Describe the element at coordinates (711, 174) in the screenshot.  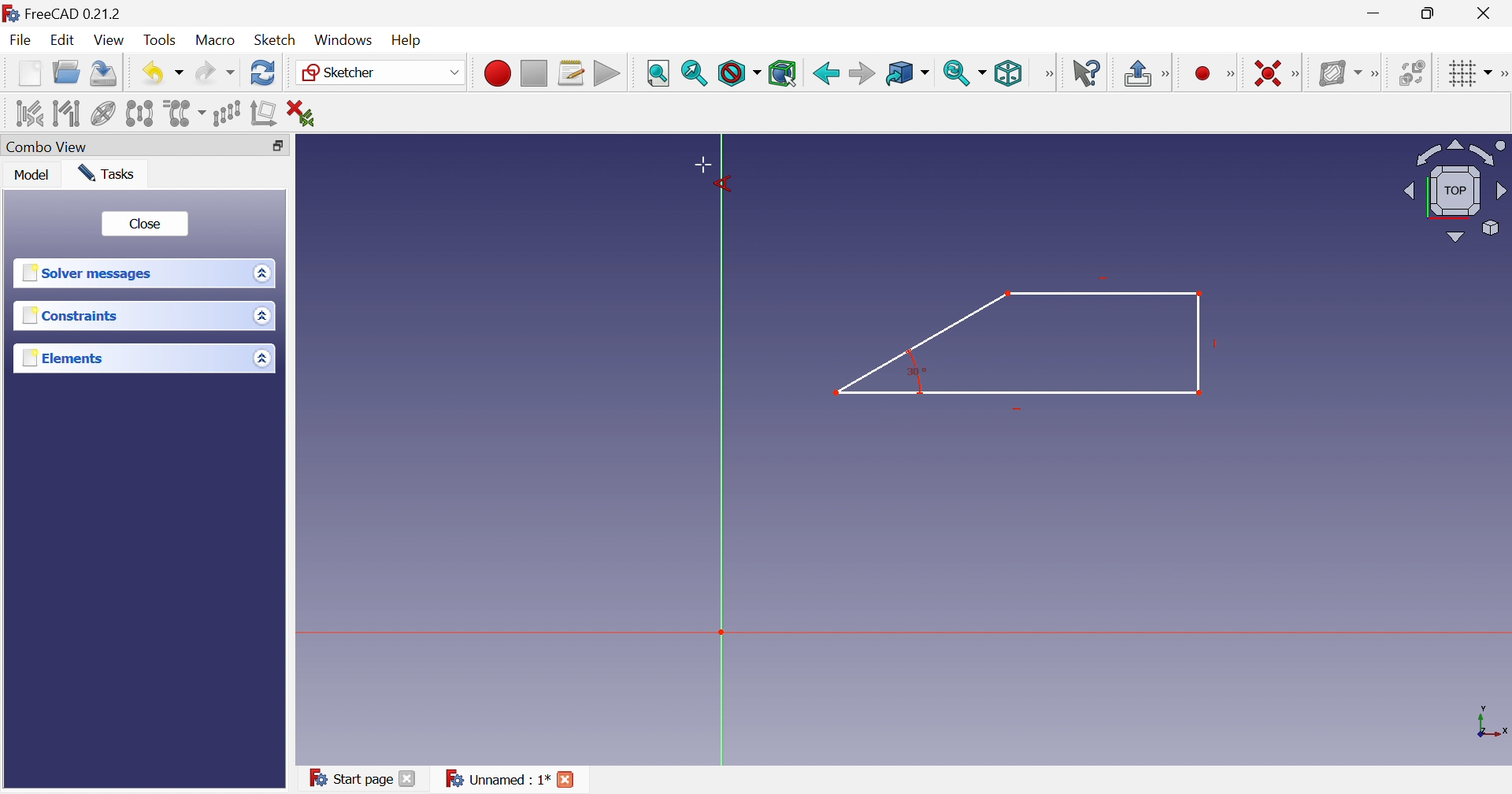
I see `Cursor` at that location.